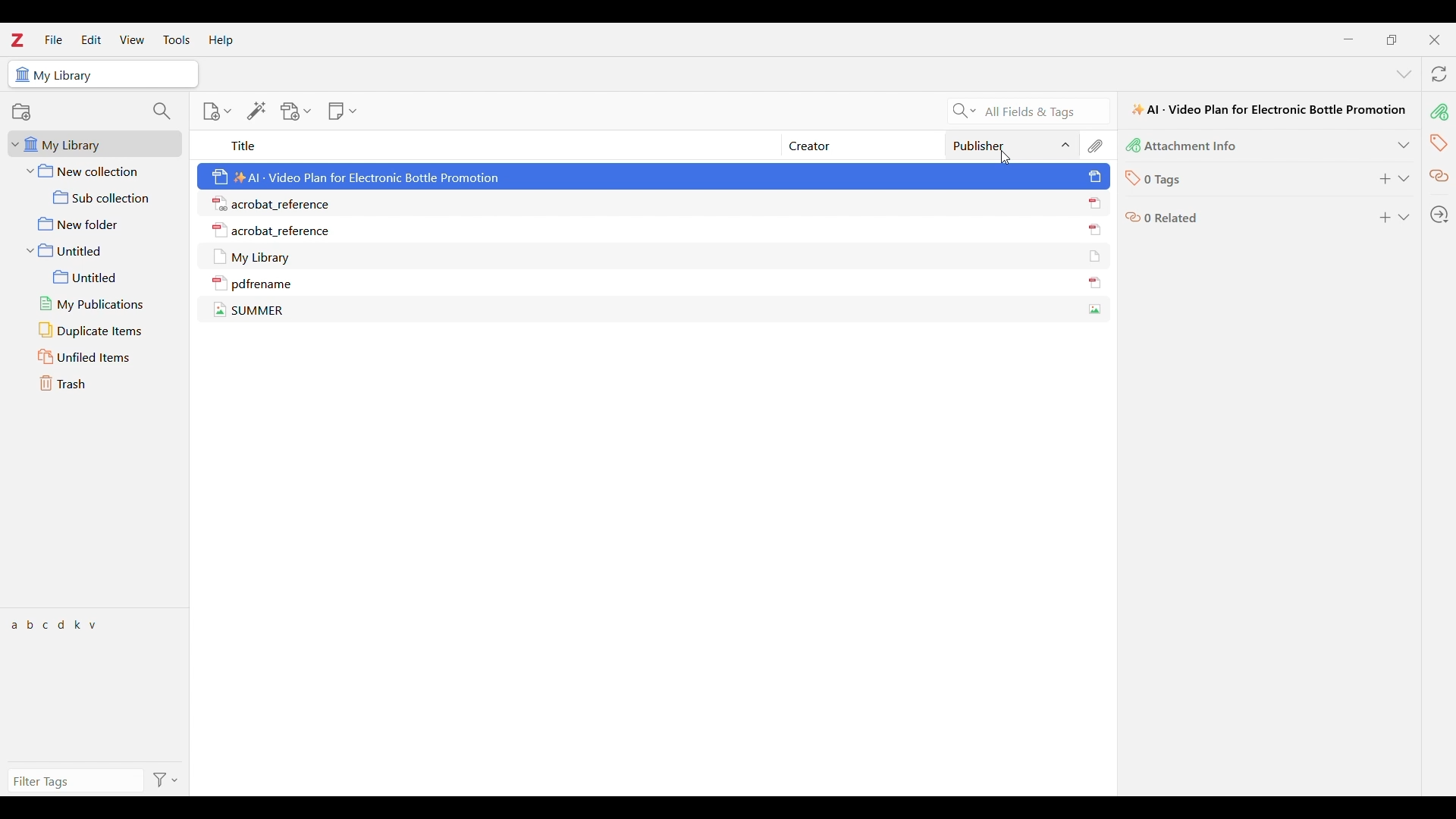 This screenshot has height=819, width=1456. Describe the element at coordinates (1006, 158) in the screenshot. I see `Cursor clicking on publisher column` at that location.